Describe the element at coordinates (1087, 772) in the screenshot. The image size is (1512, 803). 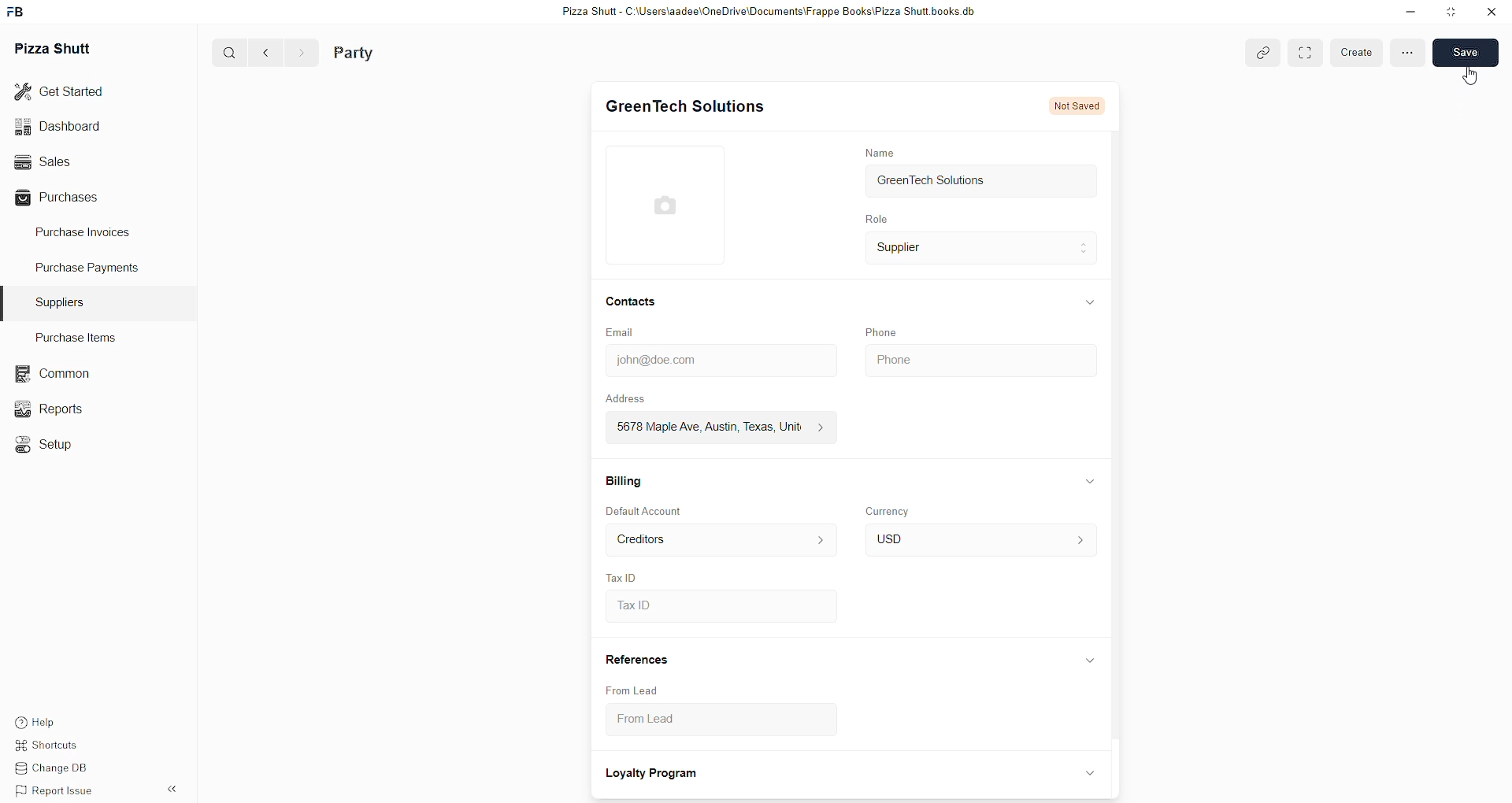
I see `hide` at that location.